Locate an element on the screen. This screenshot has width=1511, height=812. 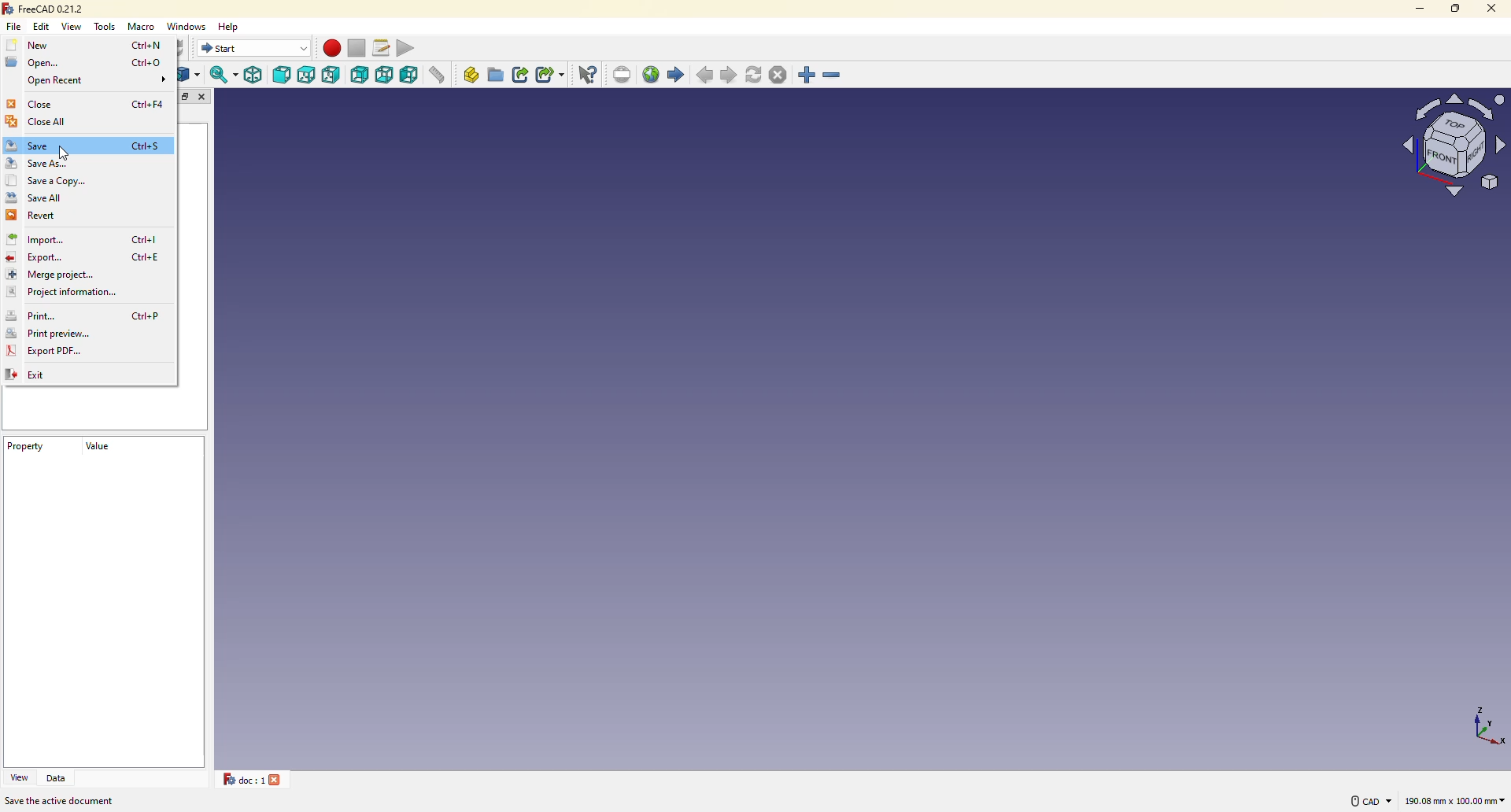
switch between workbenches is located at coordinates (254, 48).